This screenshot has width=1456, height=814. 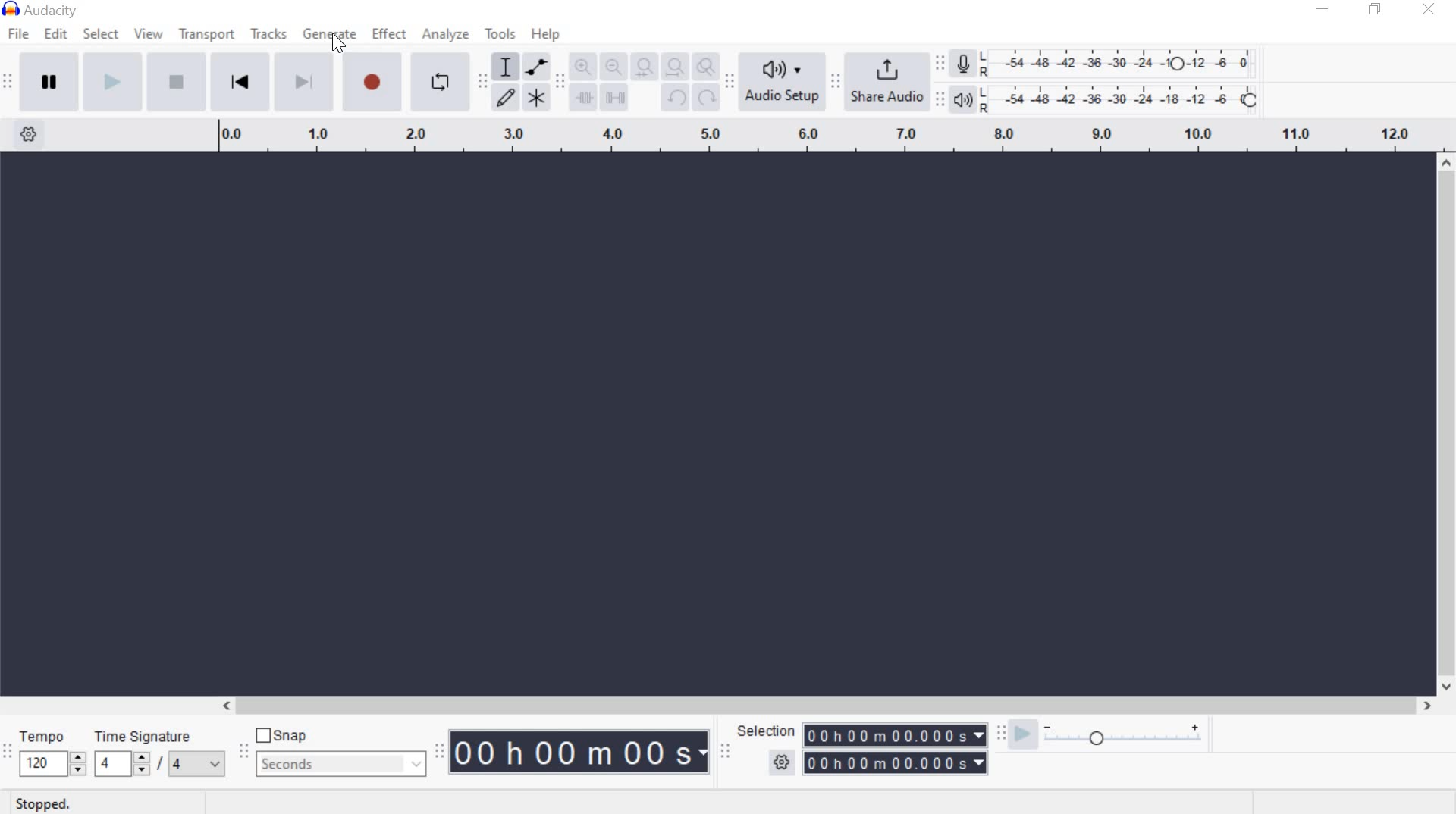 What do you see at coordinates (584, 101) in the screenshot?
I see `Trim audio outside selection` at bounding box center [584, 101].